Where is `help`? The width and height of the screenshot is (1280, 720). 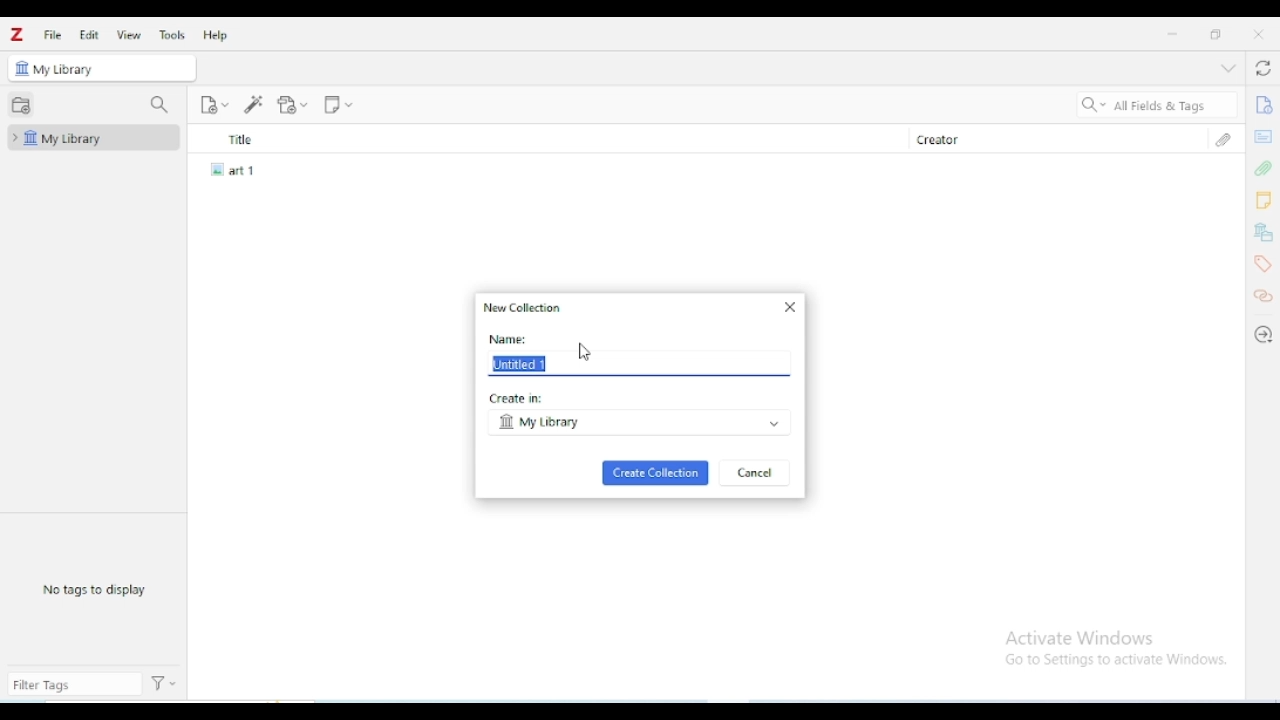
help is located at coordinates (214, 35).